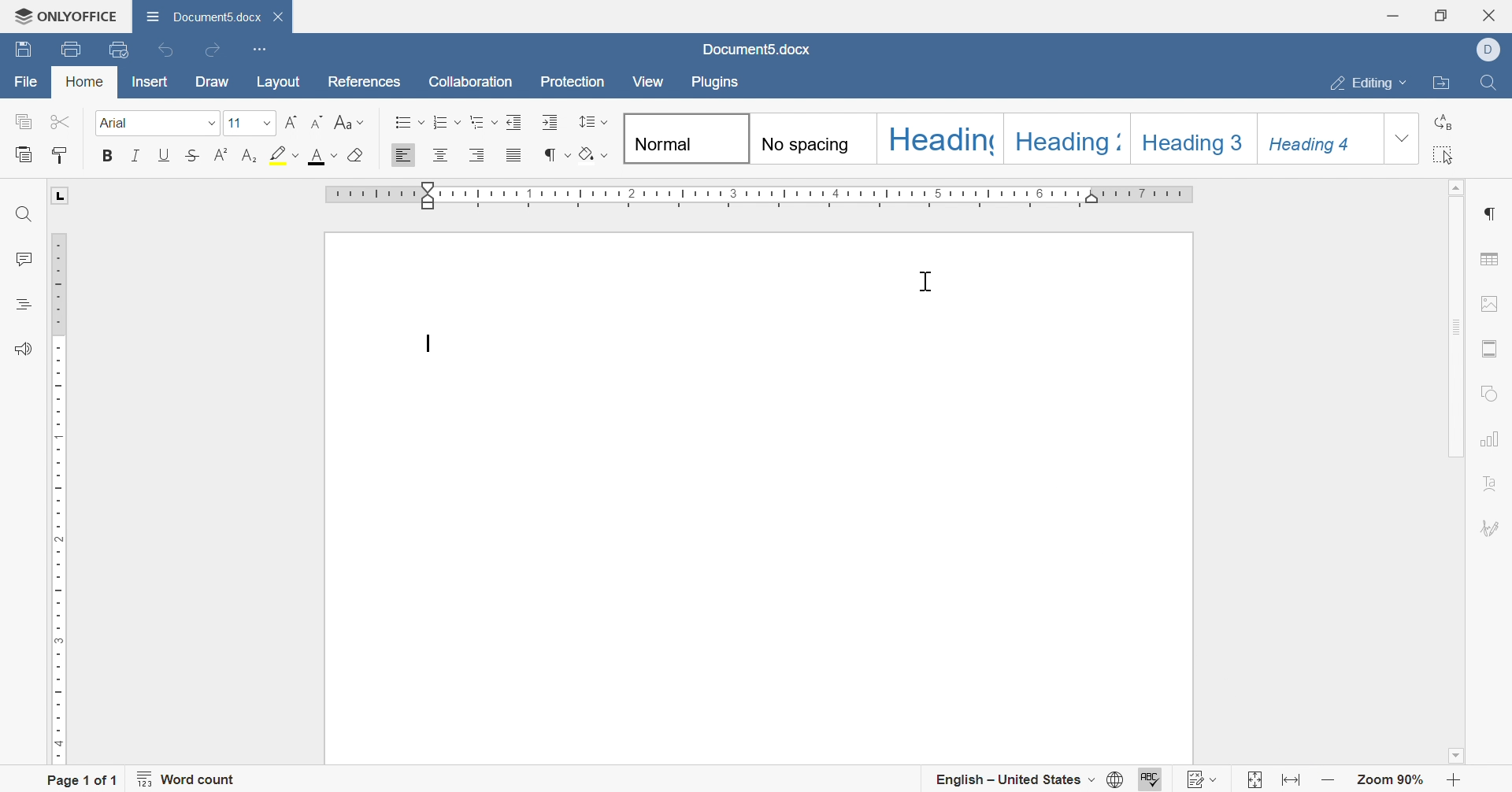  Describe the element at coordinates (160, 157) in the screenshot. I see `underline` at that location.